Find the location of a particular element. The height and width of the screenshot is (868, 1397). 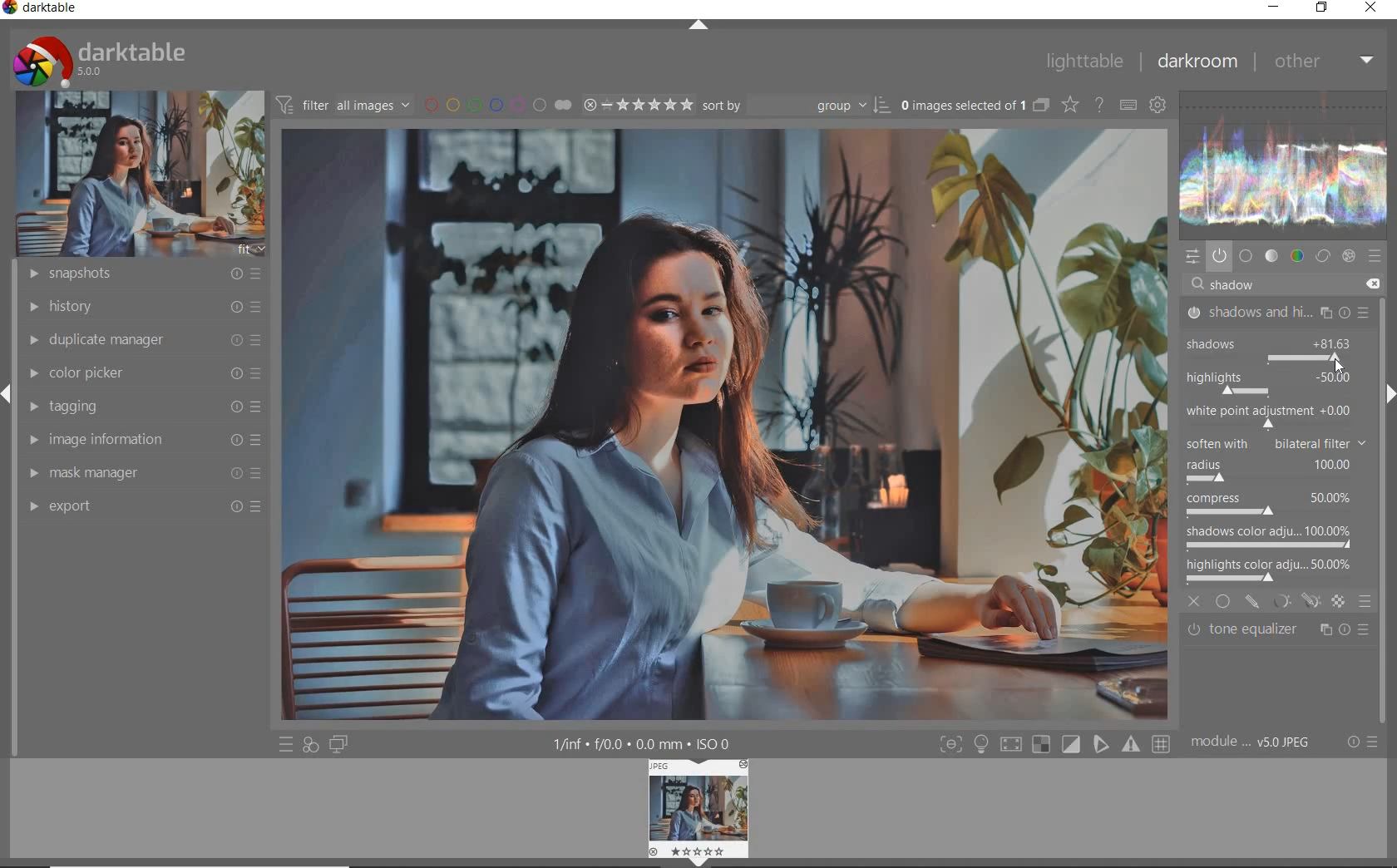

display information is located at coordinates (644, 742).